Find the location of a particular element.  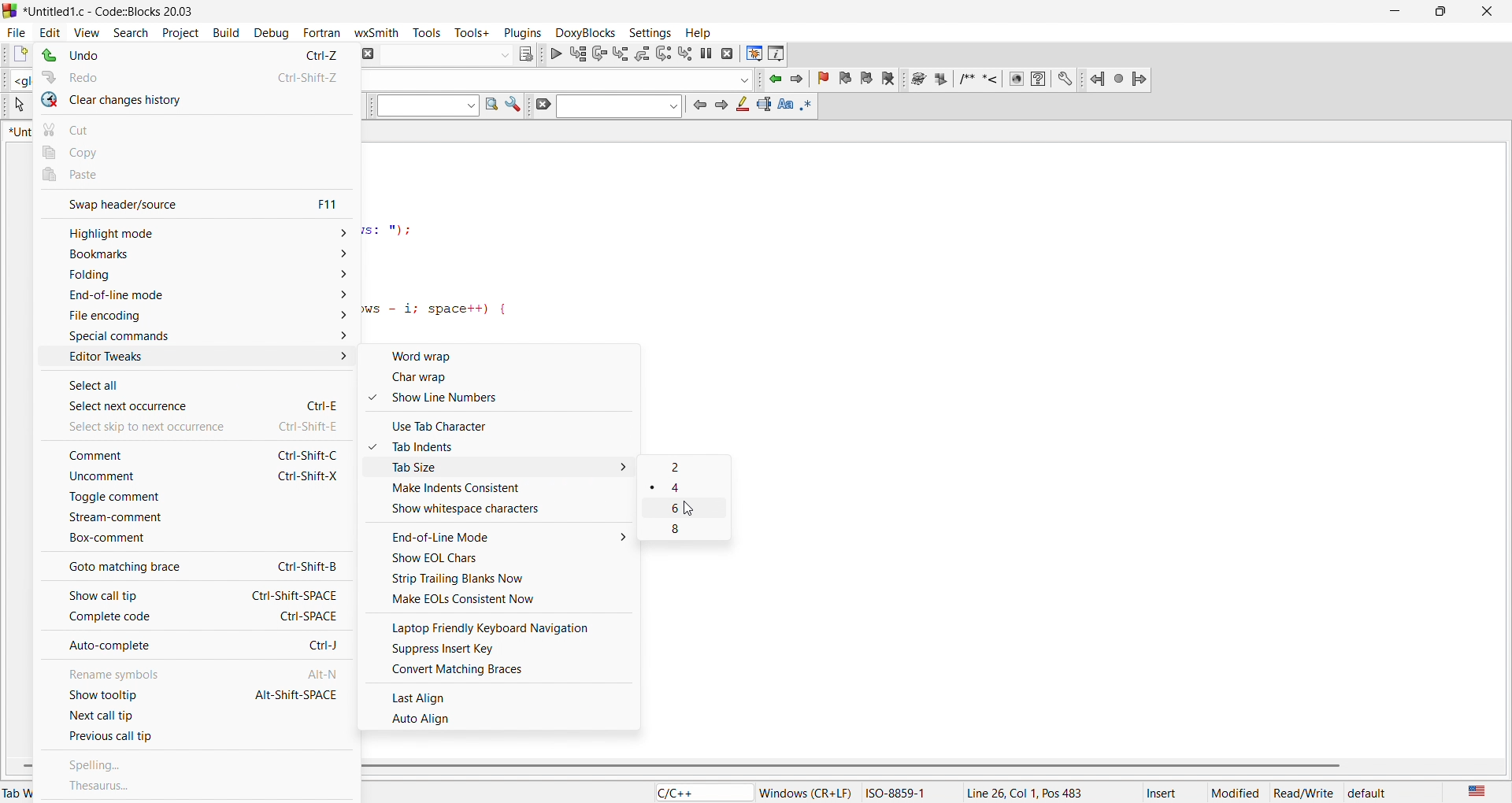

Alt-Shift-SPACE is located at coordinates (295, 694).